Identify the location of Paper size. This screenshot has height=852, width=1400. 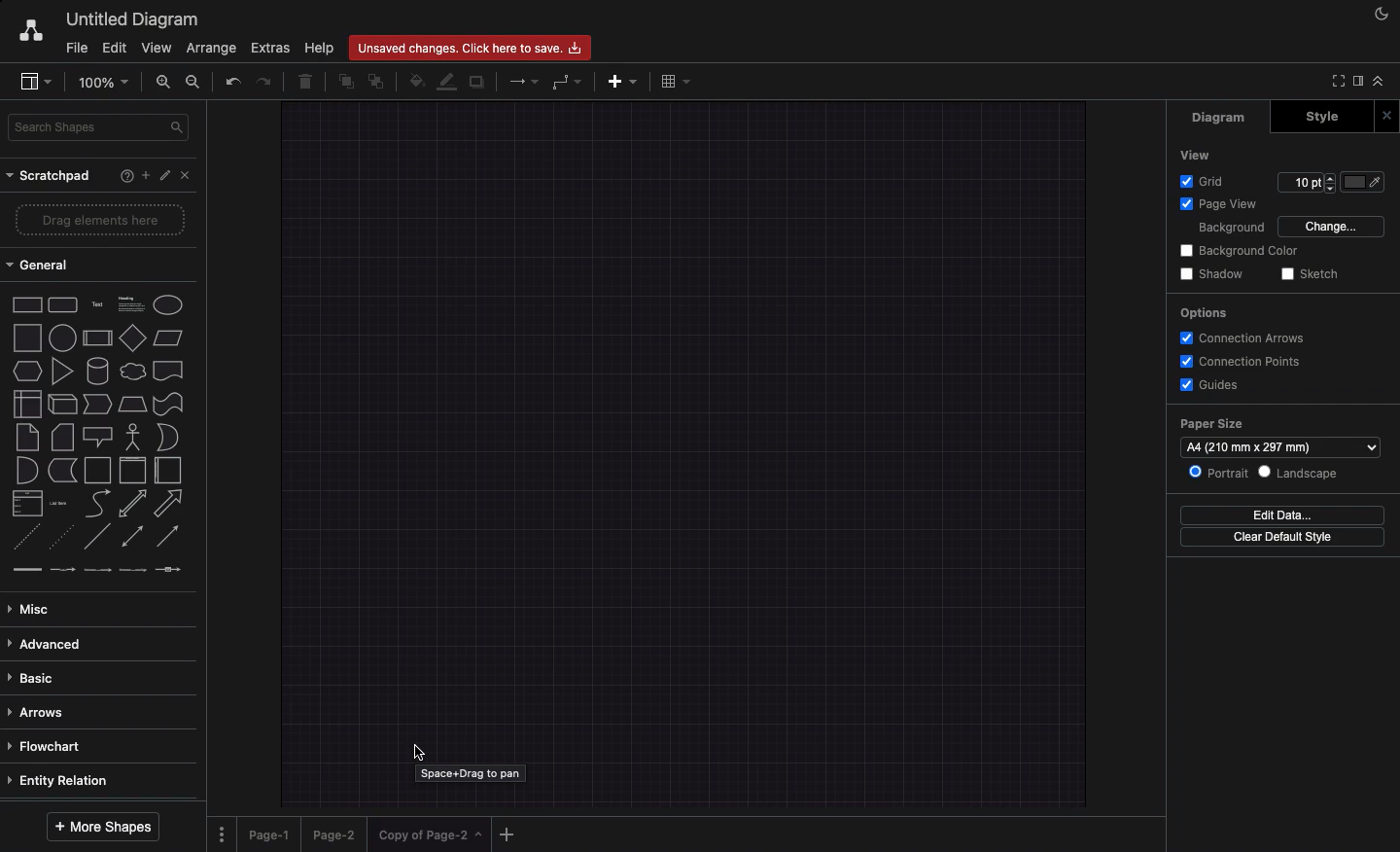
(1213, 424).